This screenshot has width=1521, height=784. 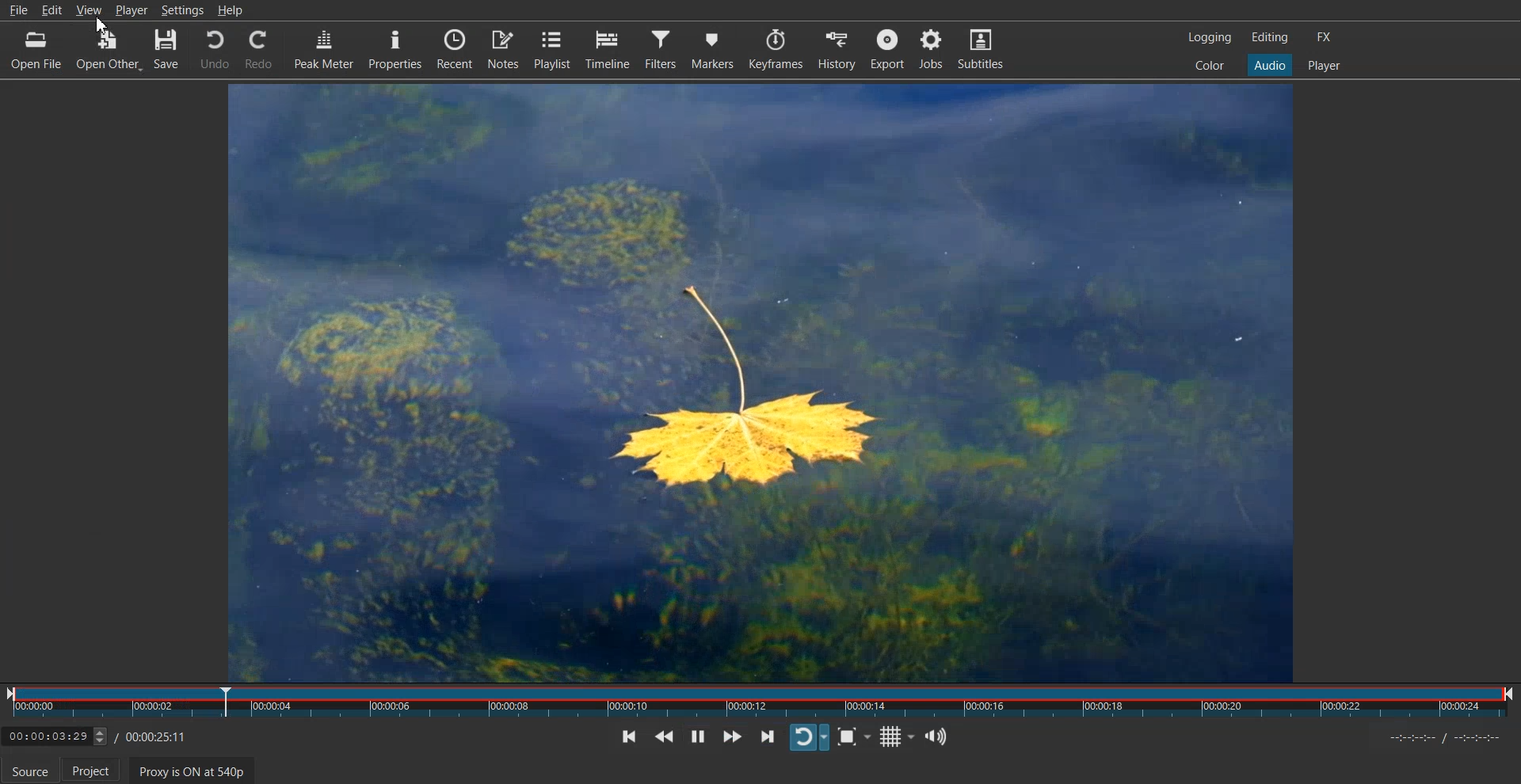 What do you see at coordinates (837, 48) in the screenshot?
I see `History` at bounding box center [837, 48].